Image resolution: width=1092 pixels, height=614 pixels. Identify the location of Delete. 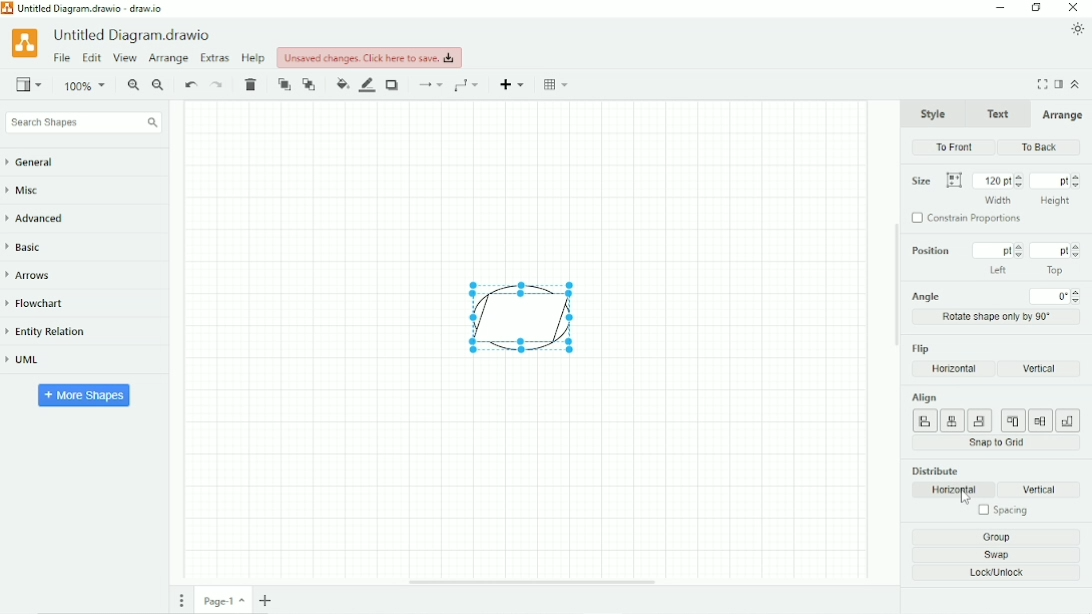
(253, 85).